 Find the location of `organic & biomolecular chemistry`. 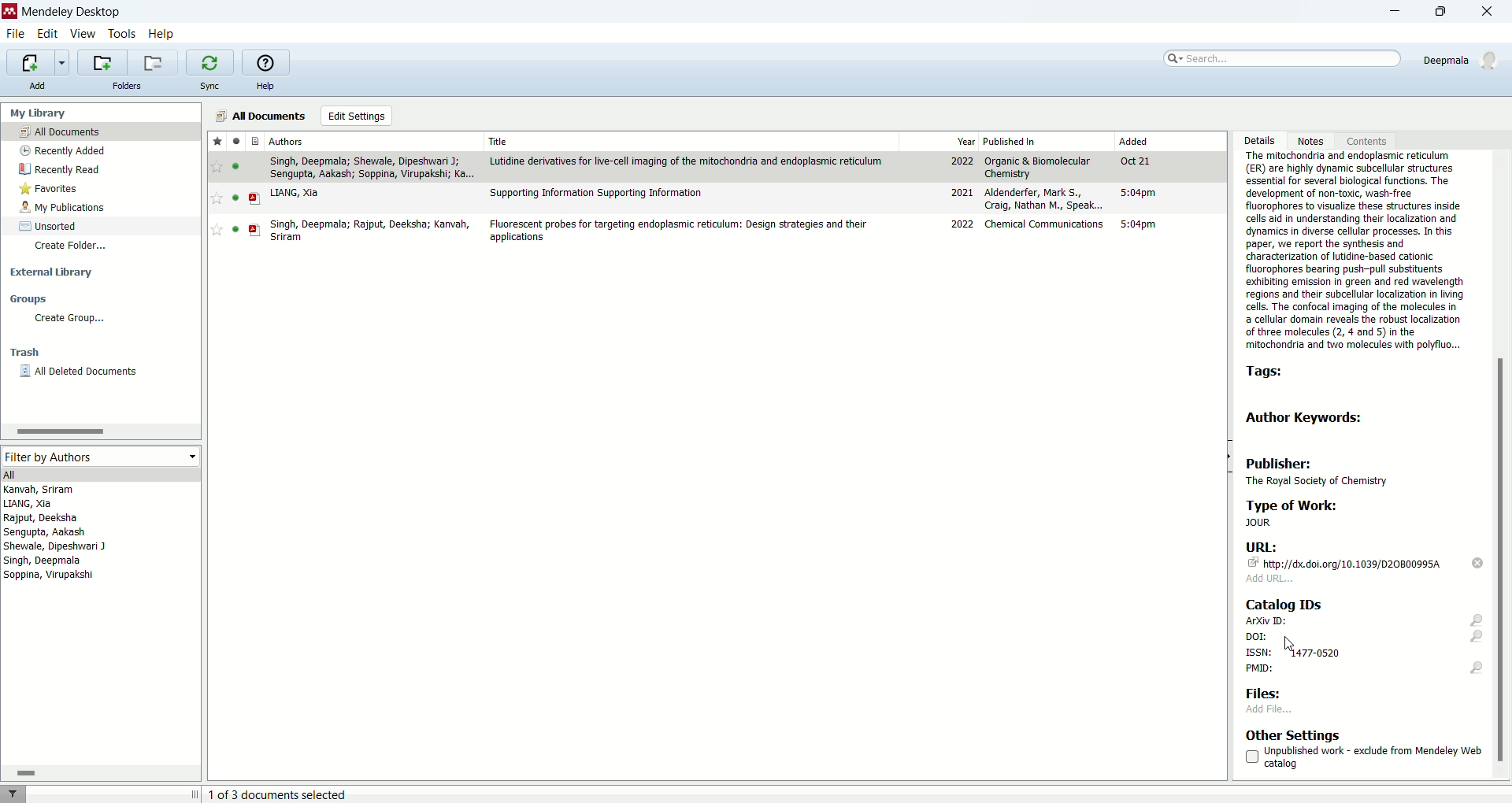

organic & biomolecular chemistry is located at coordinates (1037, 168).